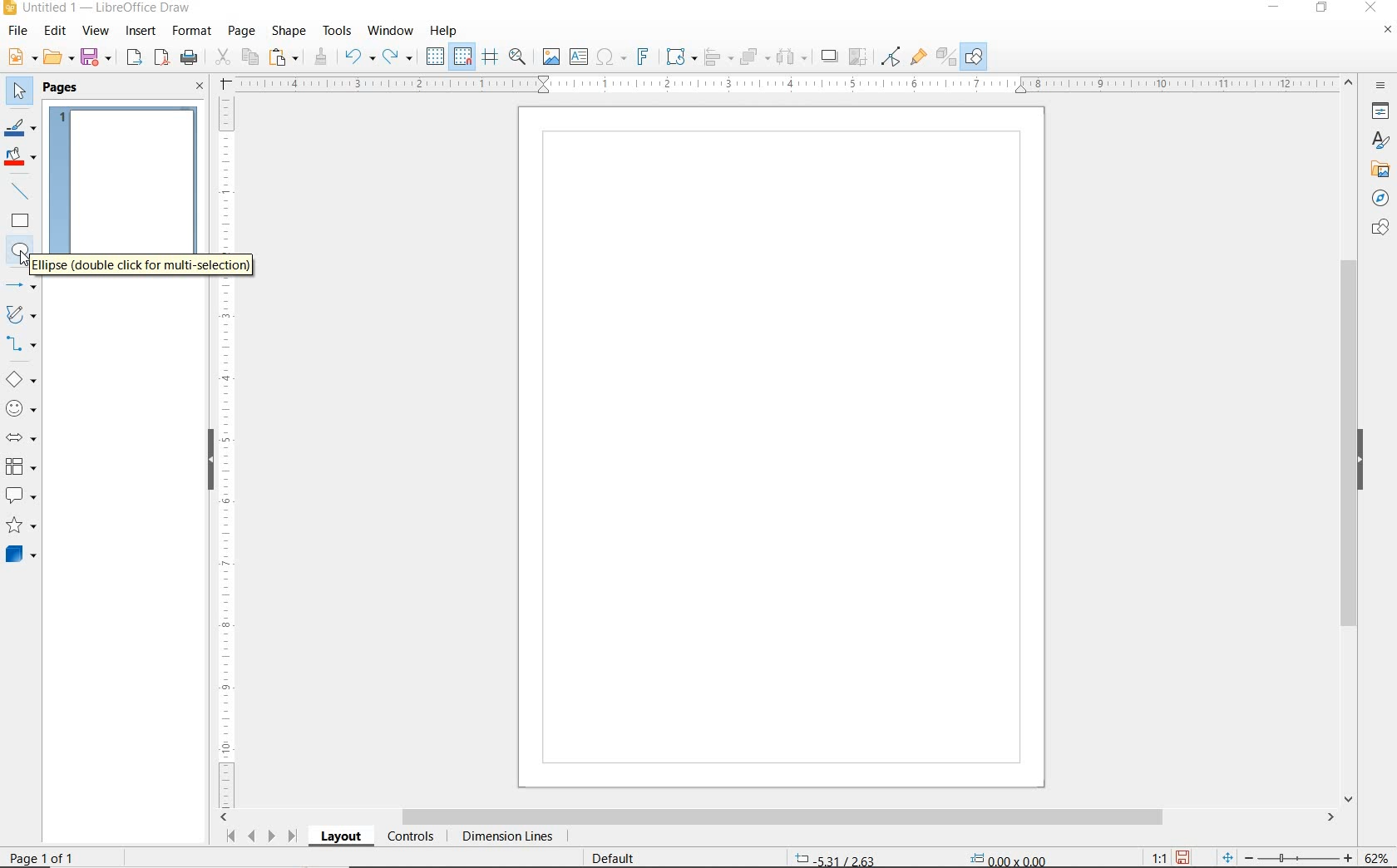 The height and width of the screenshot is (868, 1397). Describe the element at coordinates (208, 457) in the screenshot. I see `HIDE` at that location.